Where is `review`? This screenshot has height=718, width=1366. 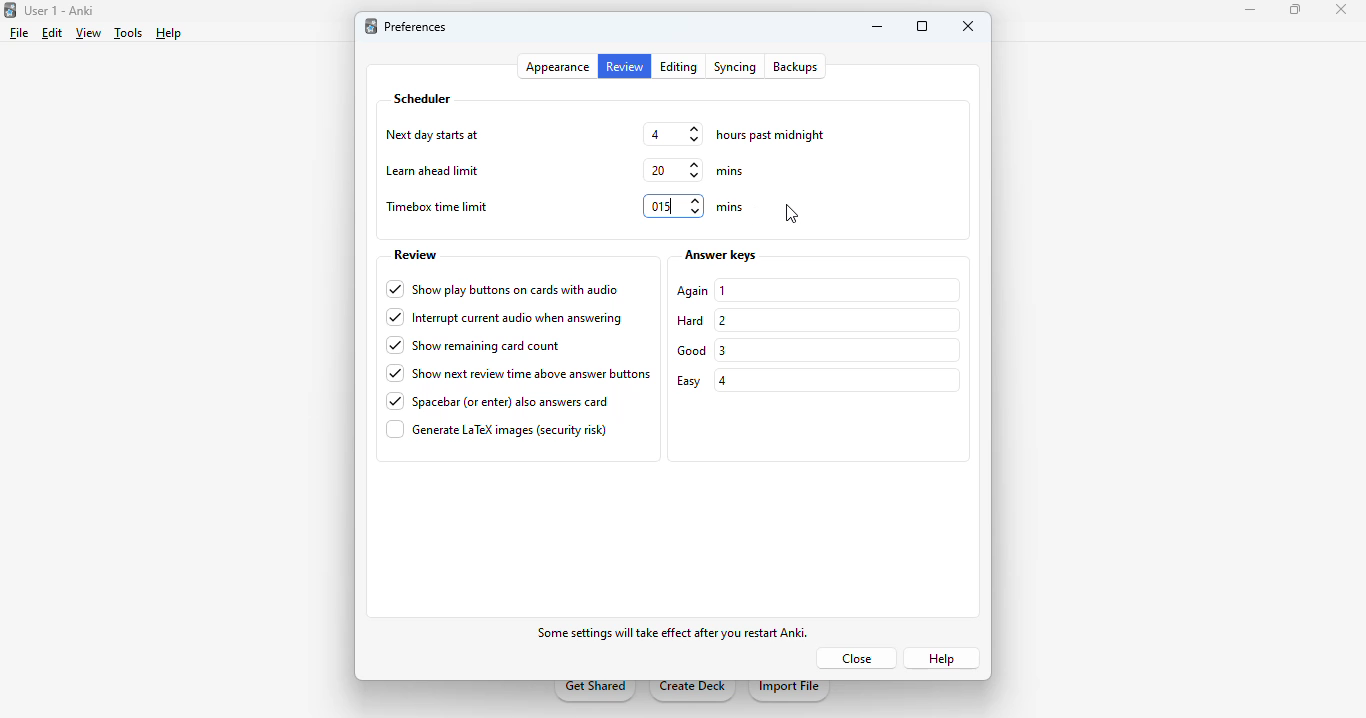
review is located at coordinates (626, 67).